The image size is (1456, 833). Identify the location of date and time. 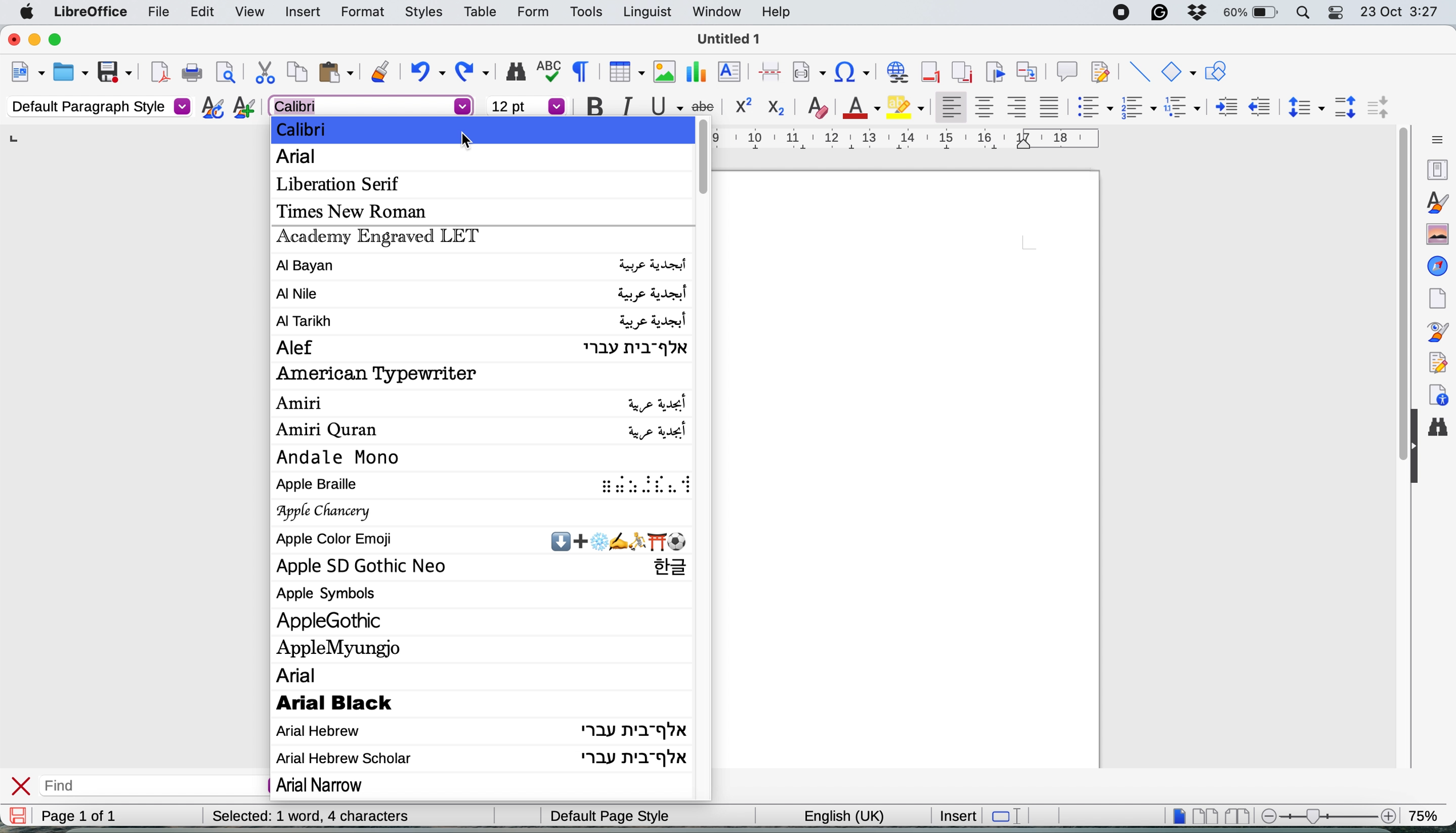
(1401, 13).